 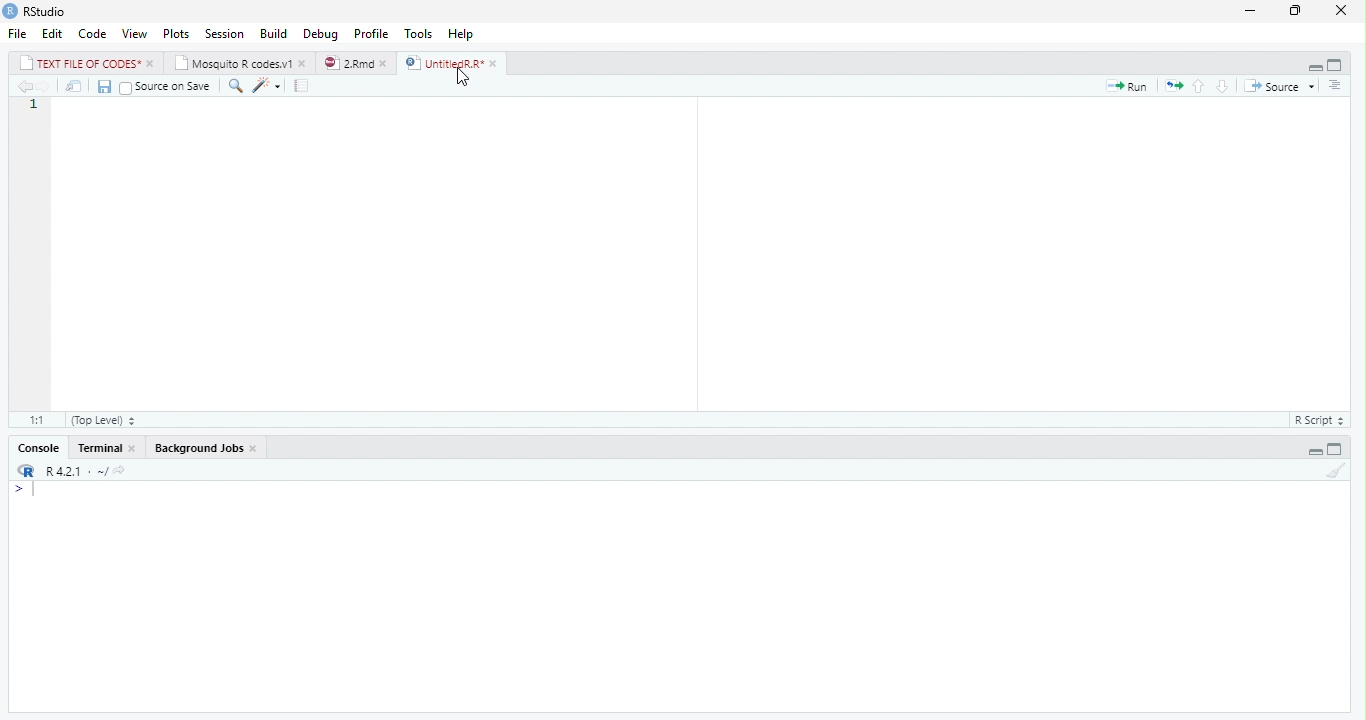 What do you see at coordinates (1298, 10) in the screenshot?
I see `Maximize` at bounding box center [1298, 10].